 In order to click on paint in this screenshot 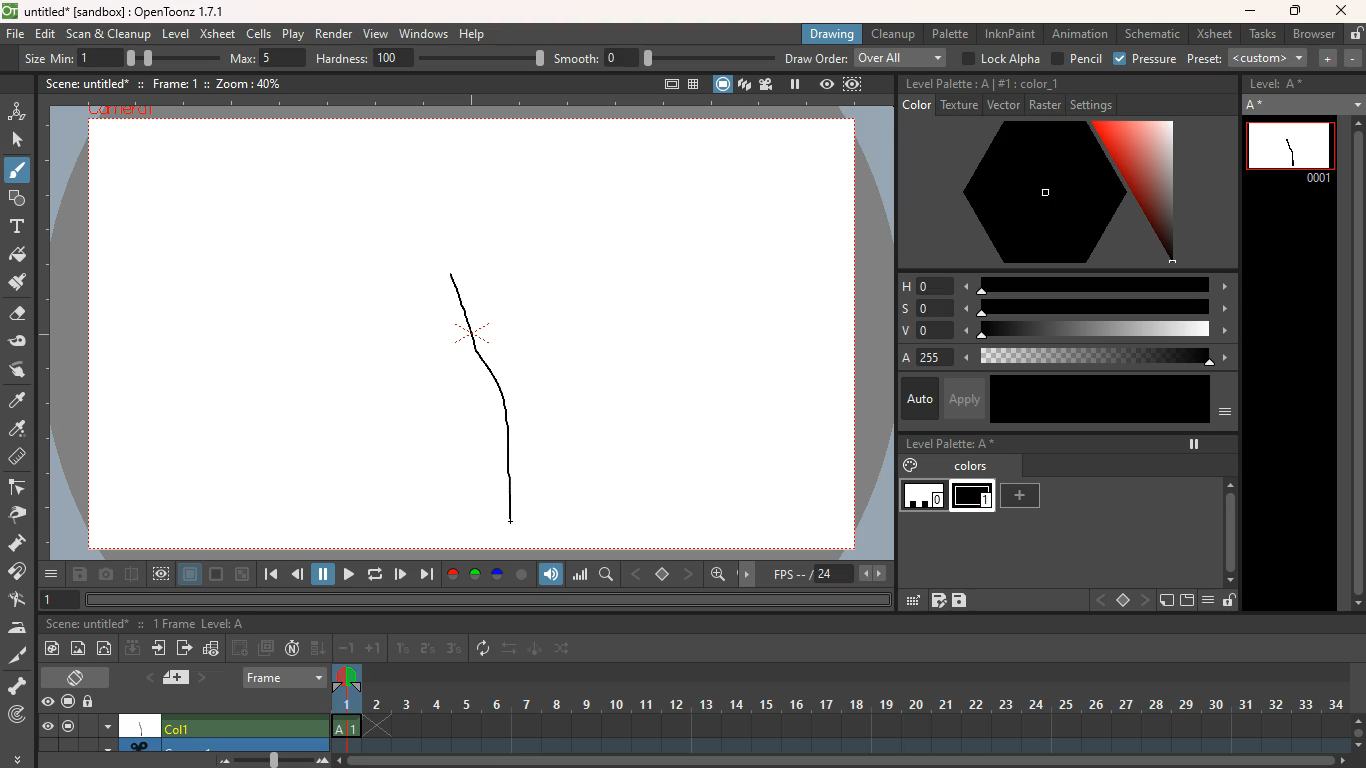, I will do `click(20, 257)`.